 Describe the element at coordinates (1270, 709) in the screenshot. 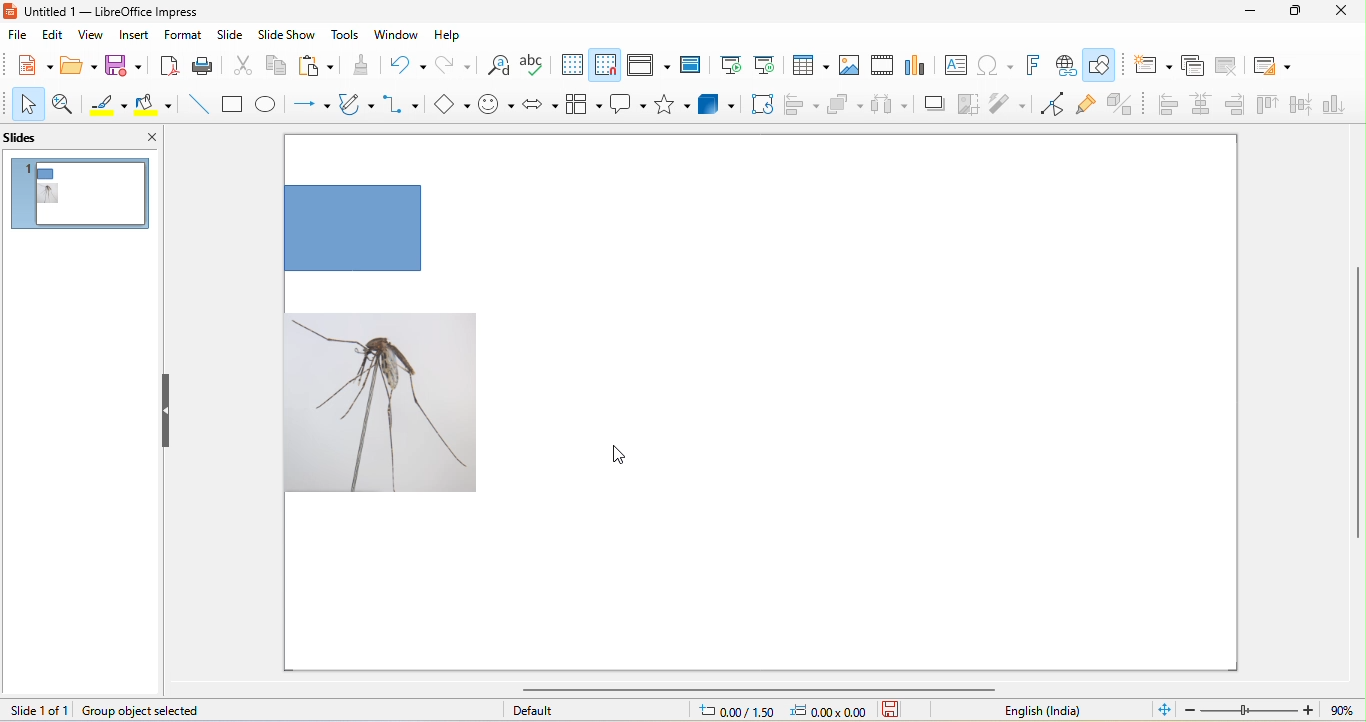

I see `zoom` at that location.